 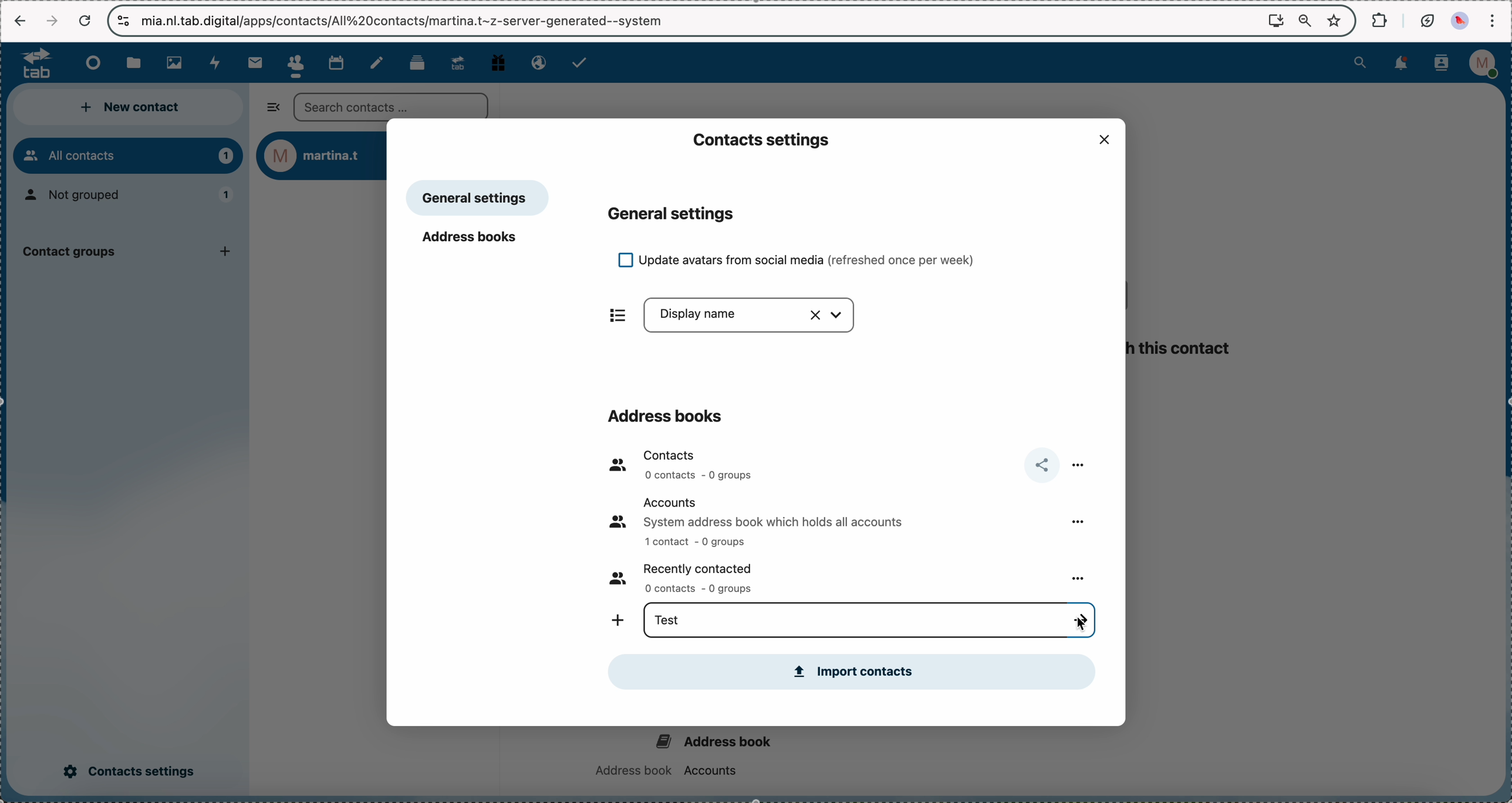 I want to click on mail, so click(x=254, y=63).